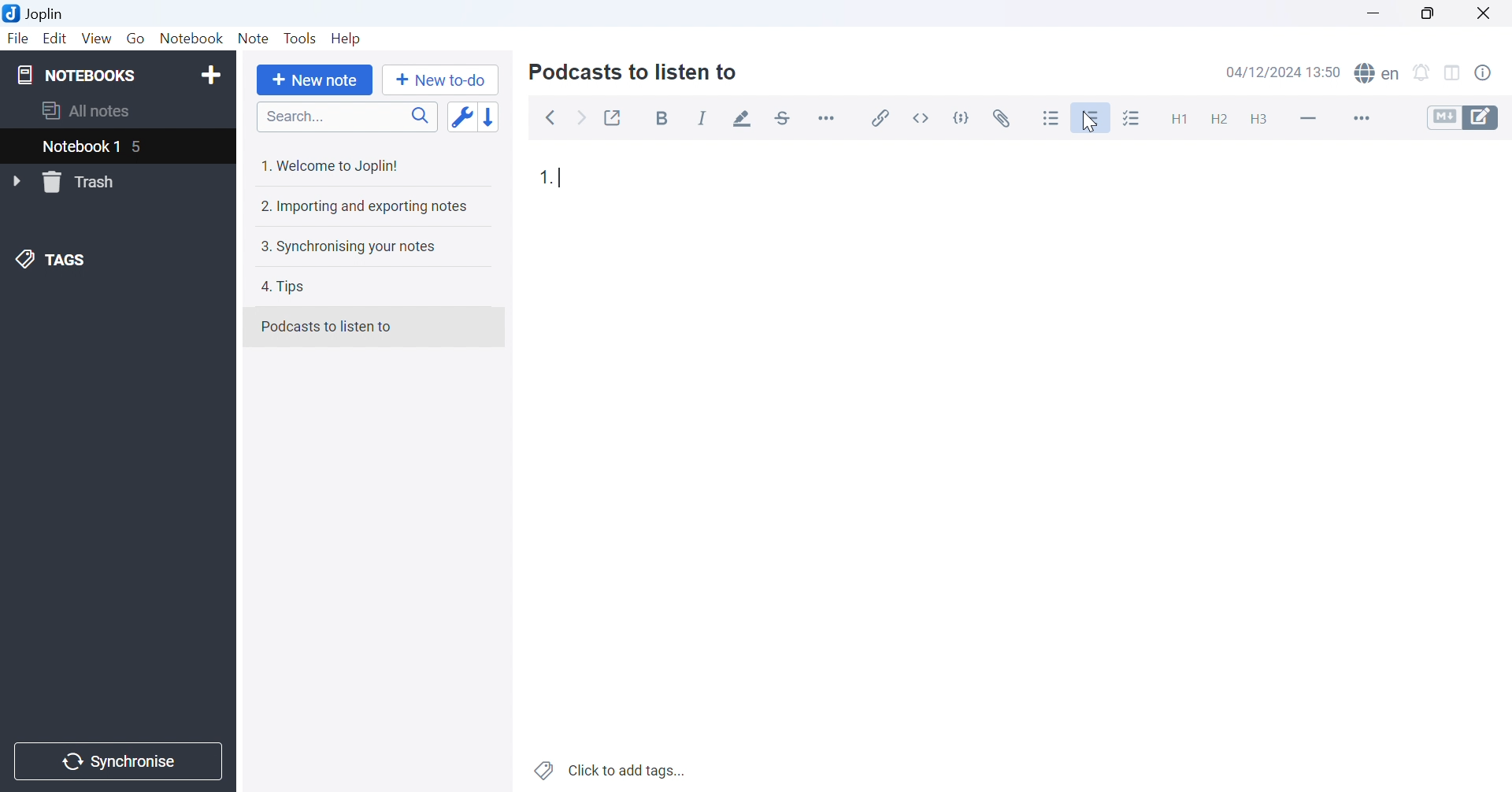  What do you see at coordinates (1469, 117) in the screenshot?
I see `Toggle editors` at bounding box center [1469, 117].